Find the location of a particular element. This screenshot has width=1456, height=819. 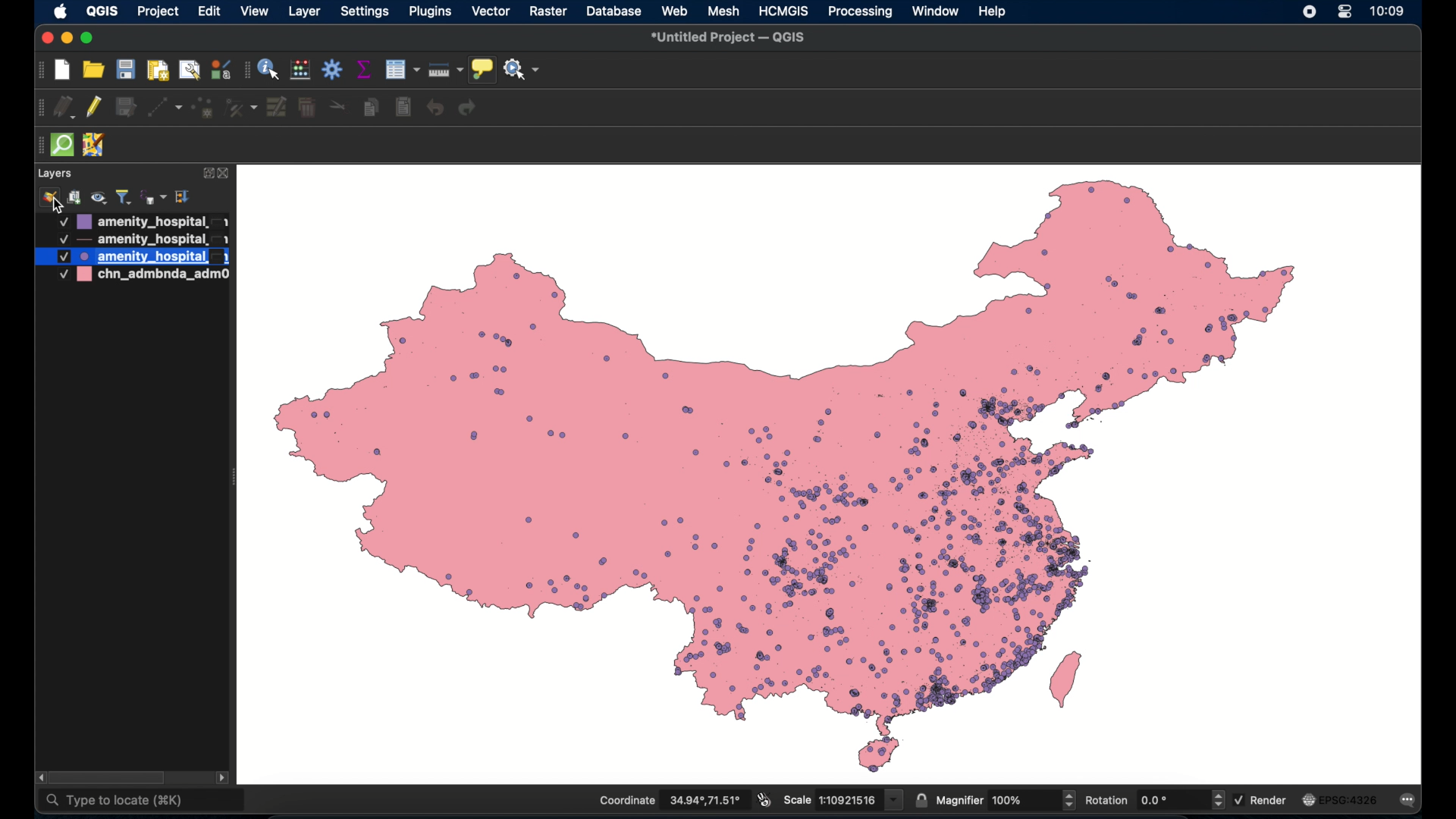

vertex tool is located at coordinates (242, 108).